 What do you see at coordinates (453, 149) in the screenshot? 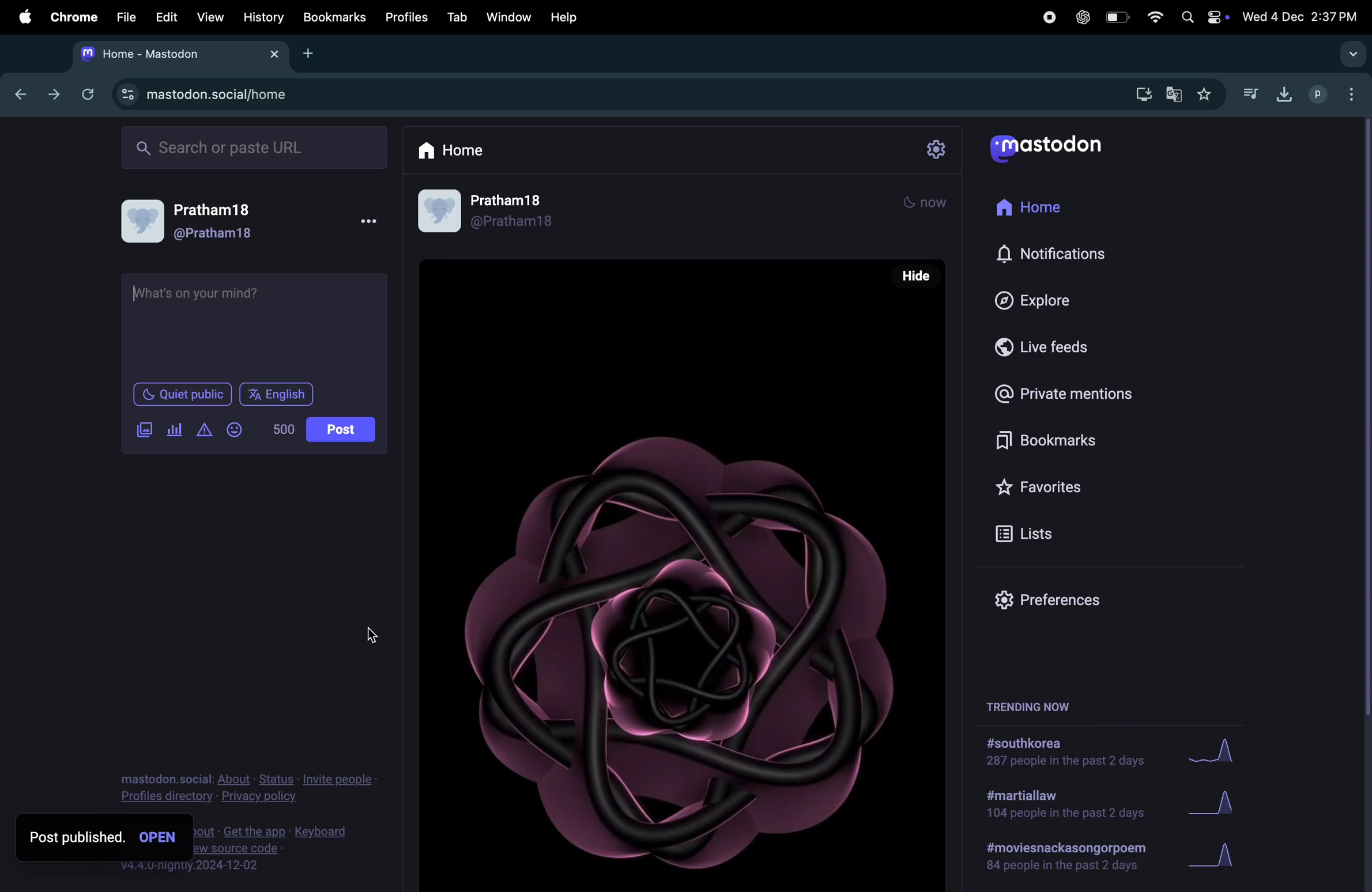
I see `Home` at bounding box center [453, 149].